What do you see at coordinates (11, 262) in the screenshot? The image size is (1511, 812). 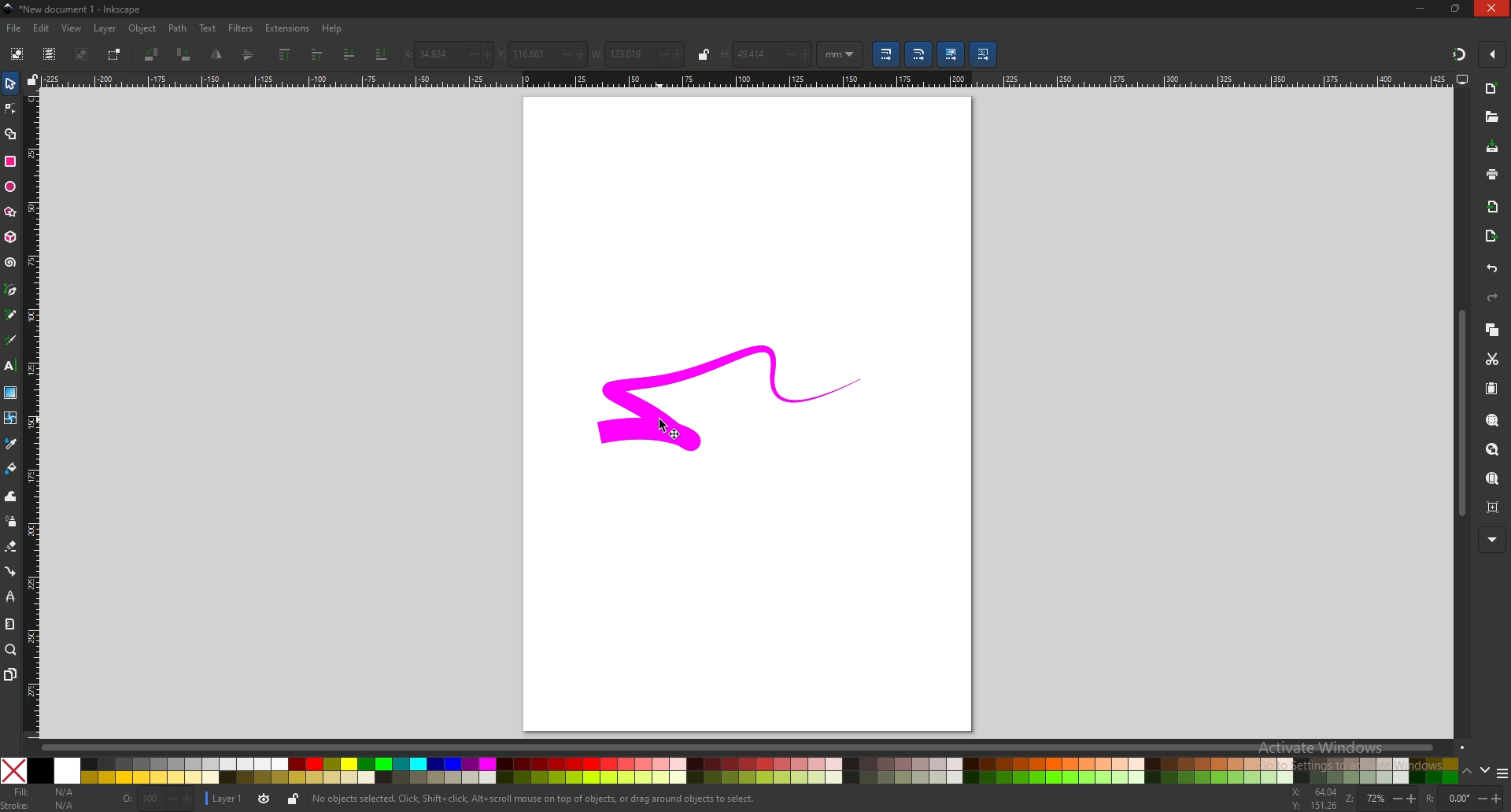 I see `spiral` at bounding box center [11, 262].